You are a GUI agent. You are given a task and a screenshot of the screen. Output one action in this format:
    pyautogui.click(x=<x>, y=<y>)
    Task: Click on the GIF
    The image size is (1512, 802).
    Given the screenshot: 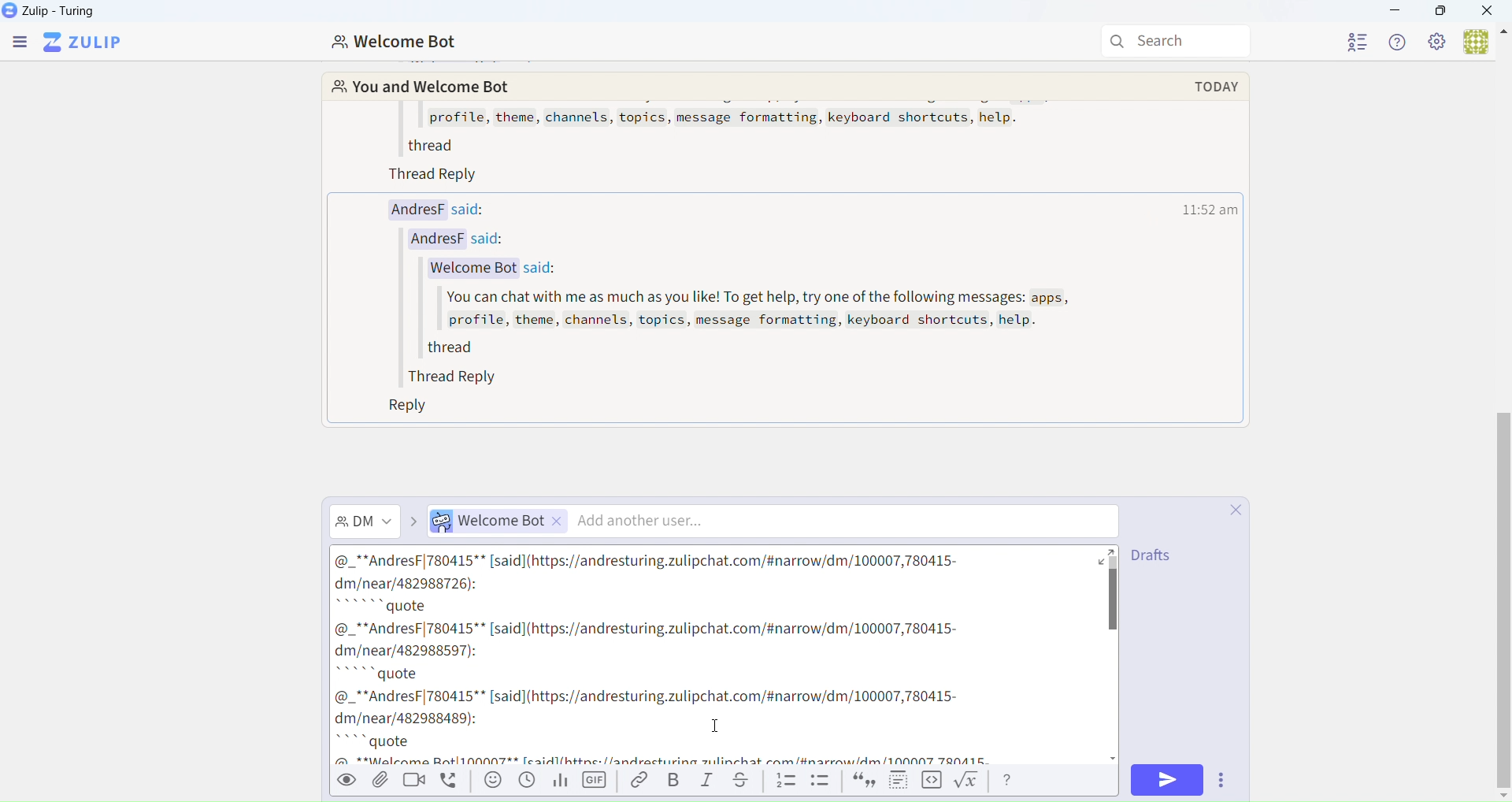 What is the action you would take?
    pyautogui.click(x=594, y=781)
    